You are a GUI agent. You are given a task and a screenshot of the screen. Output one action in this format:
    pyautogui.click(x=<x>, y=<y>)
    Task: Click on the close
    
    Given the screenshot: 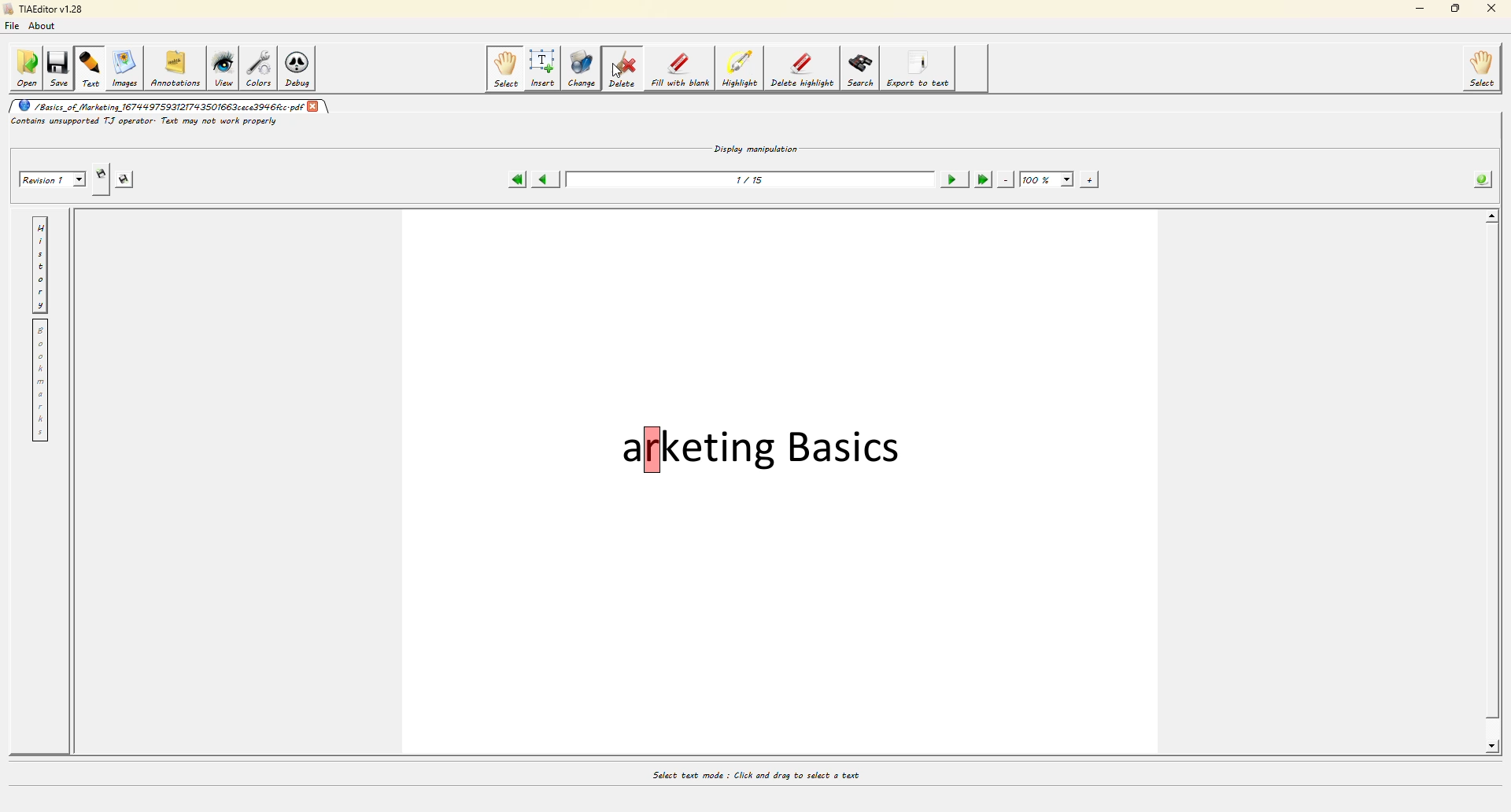 What is the action you would take?
    pyautogui.click(x=314, y=104)
    